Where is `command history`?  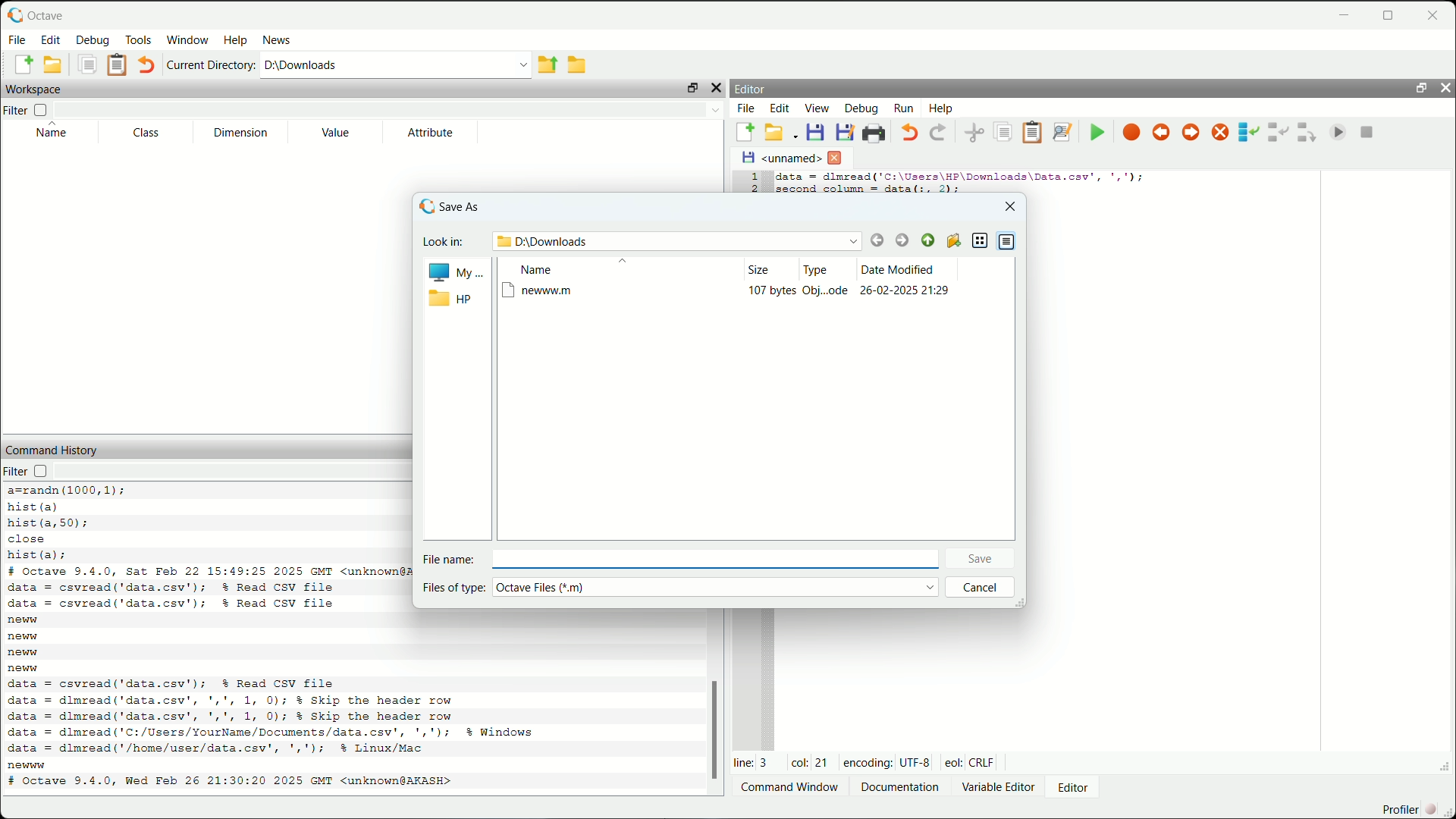 command history is located at coordinates (49, 447).